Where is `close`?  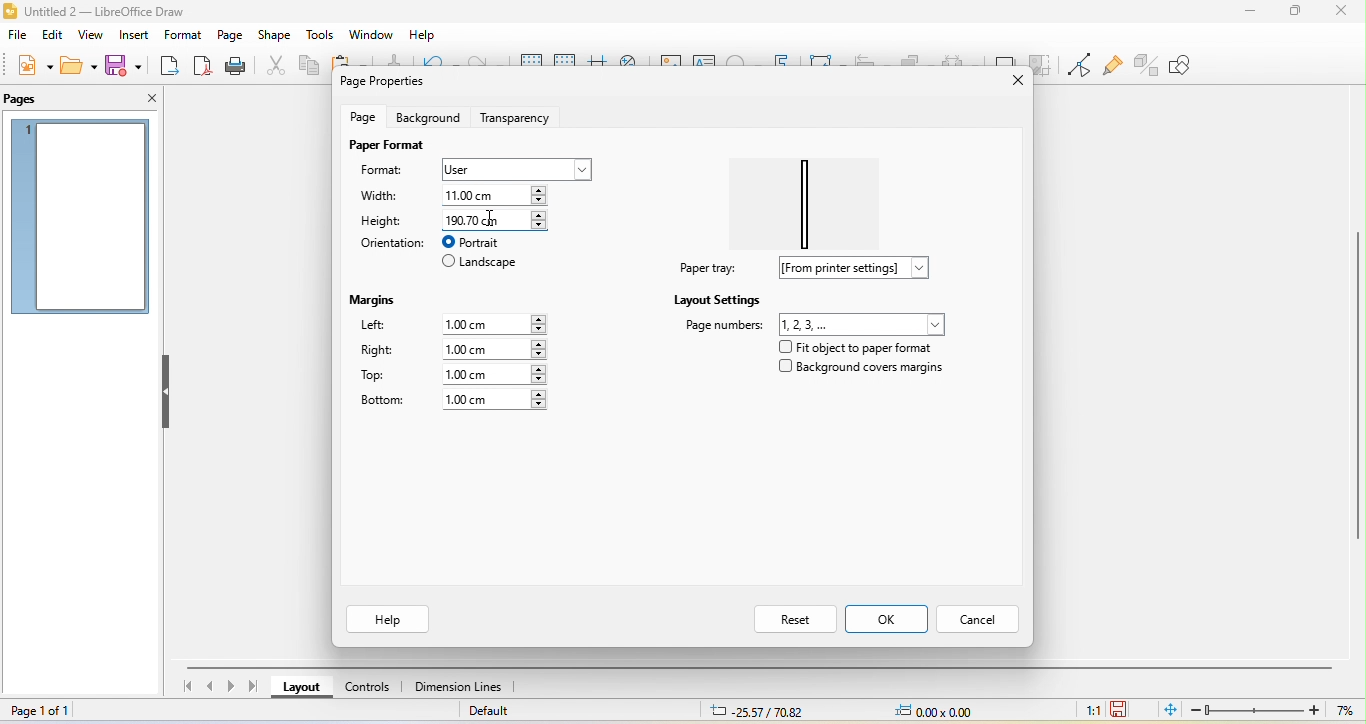 close is located at coordinates (1007, 81).